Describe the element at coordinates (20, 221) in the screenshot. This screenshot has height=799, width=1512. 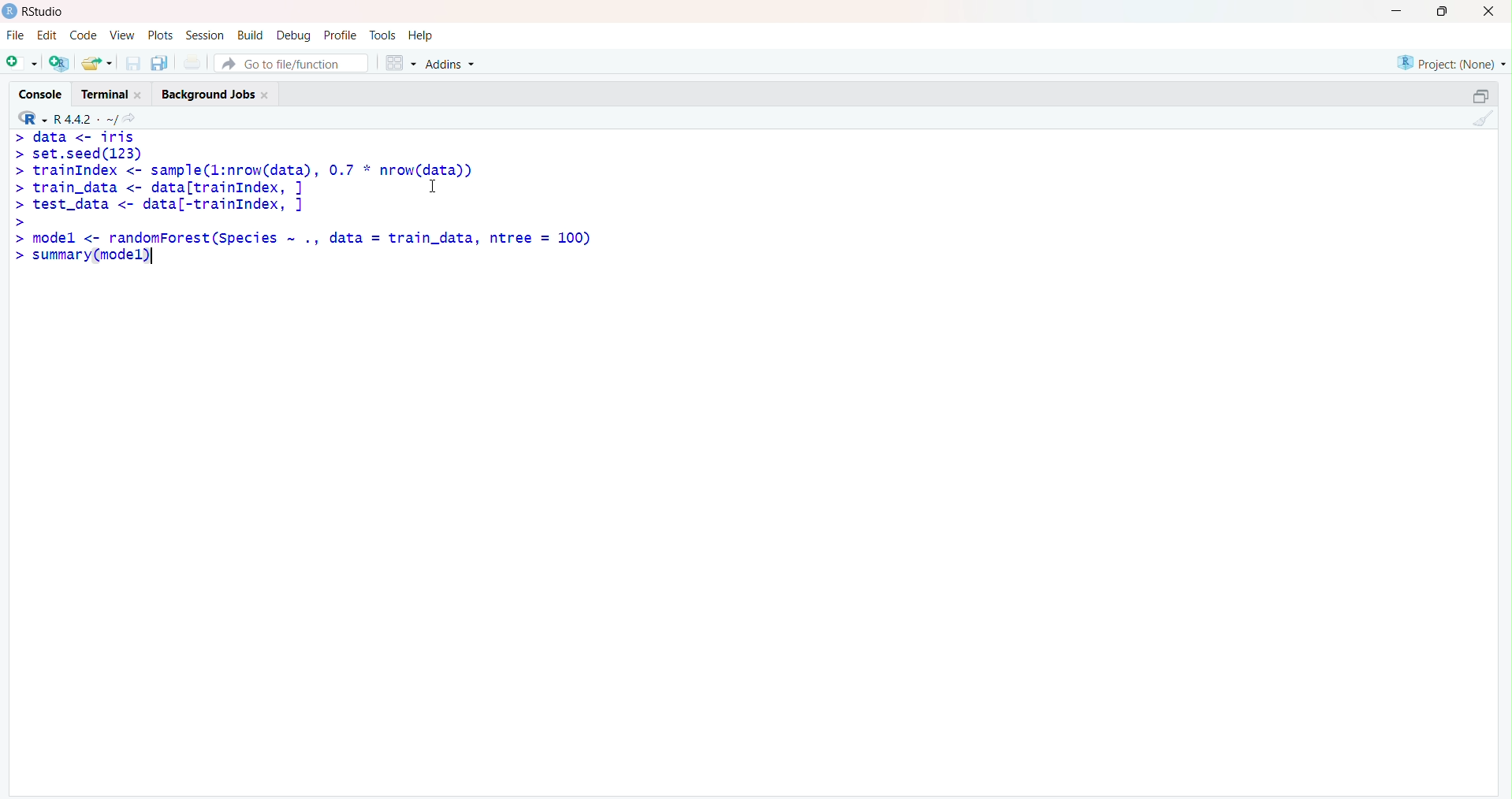
I see `Prompt cursor` at that location.